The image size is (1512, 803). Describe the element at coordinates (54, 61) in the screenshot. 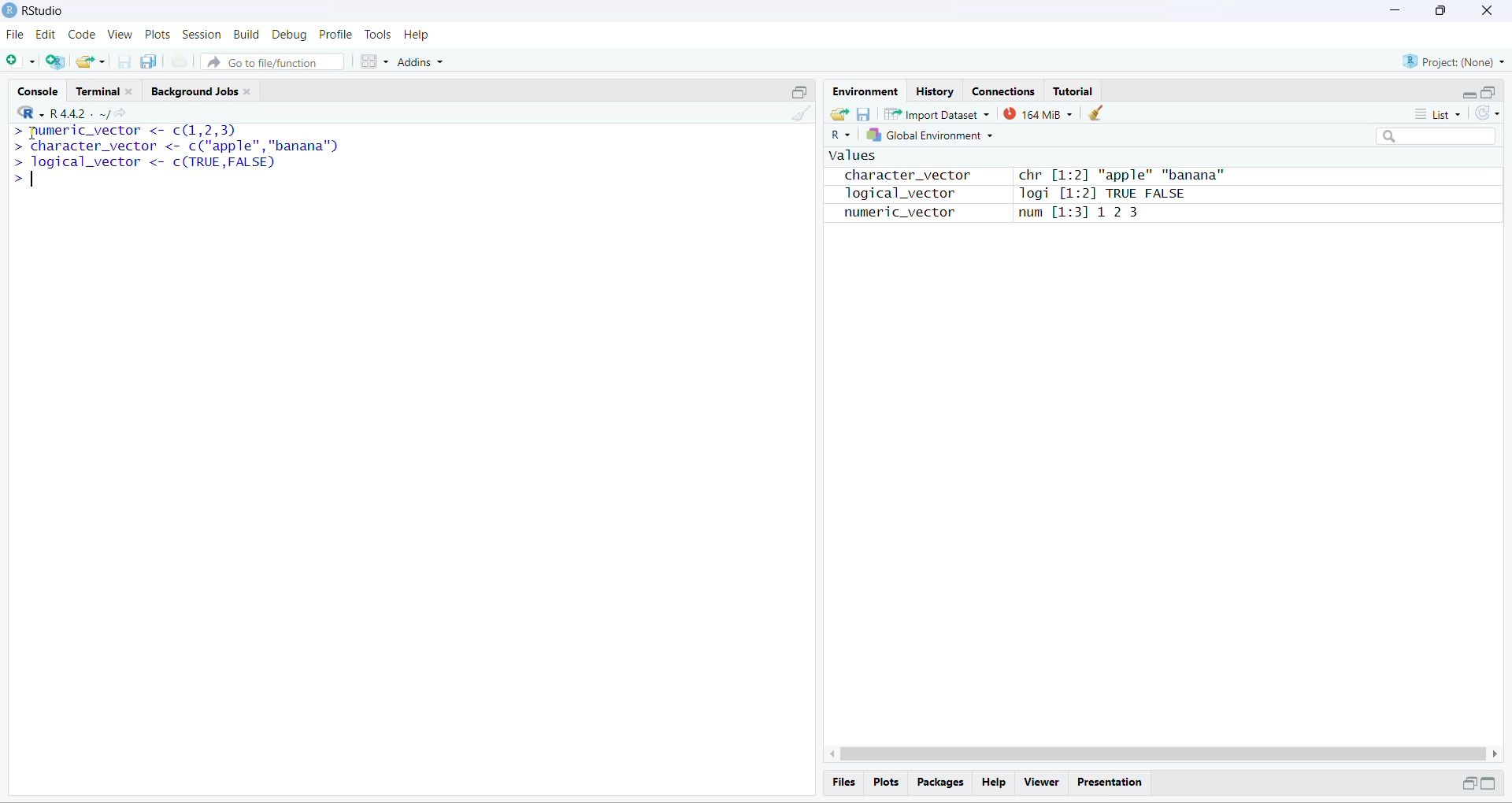

I see `create a project` at that location.